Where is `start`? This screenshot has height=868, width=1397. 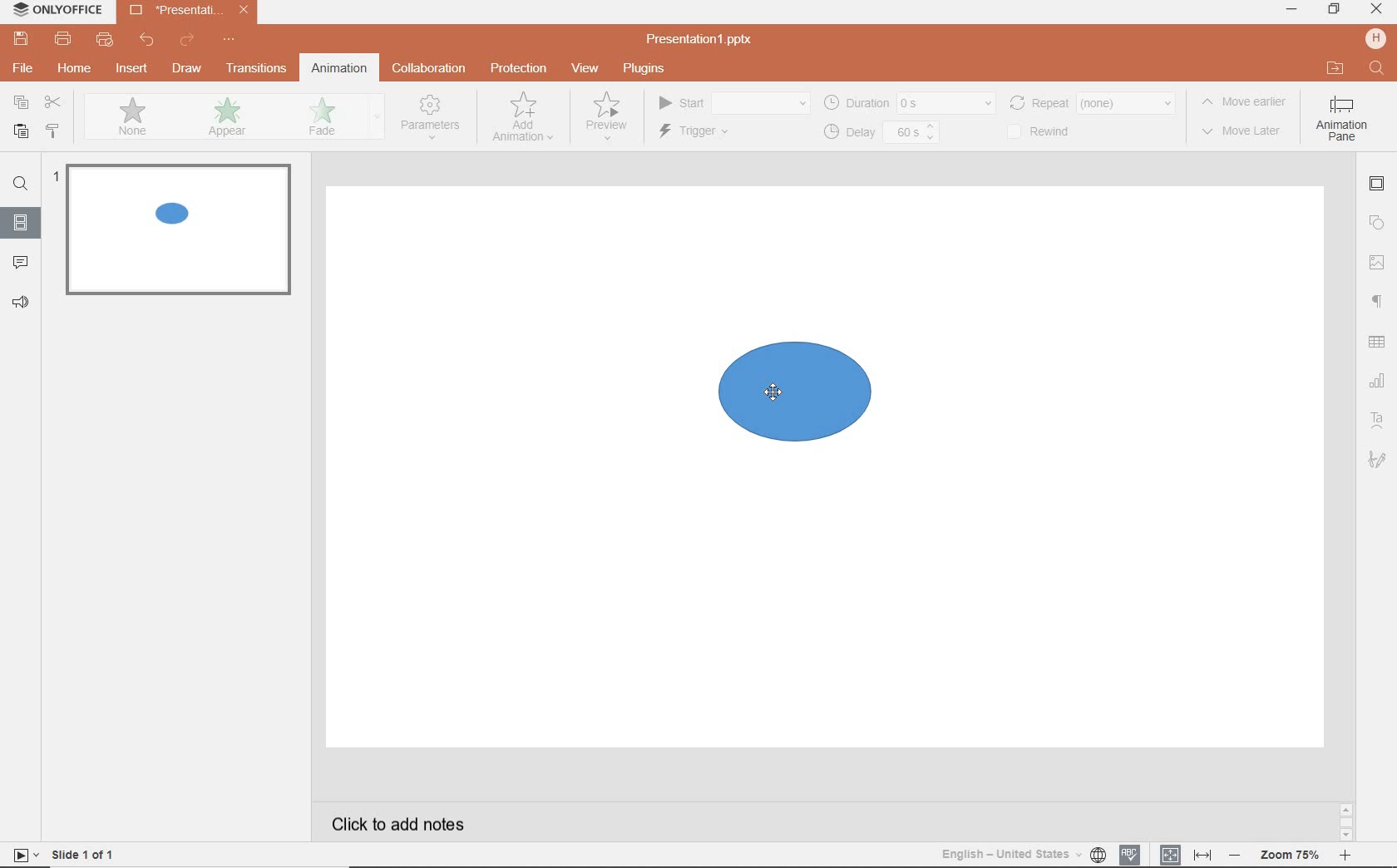
start is located at coordinates (732, 104).